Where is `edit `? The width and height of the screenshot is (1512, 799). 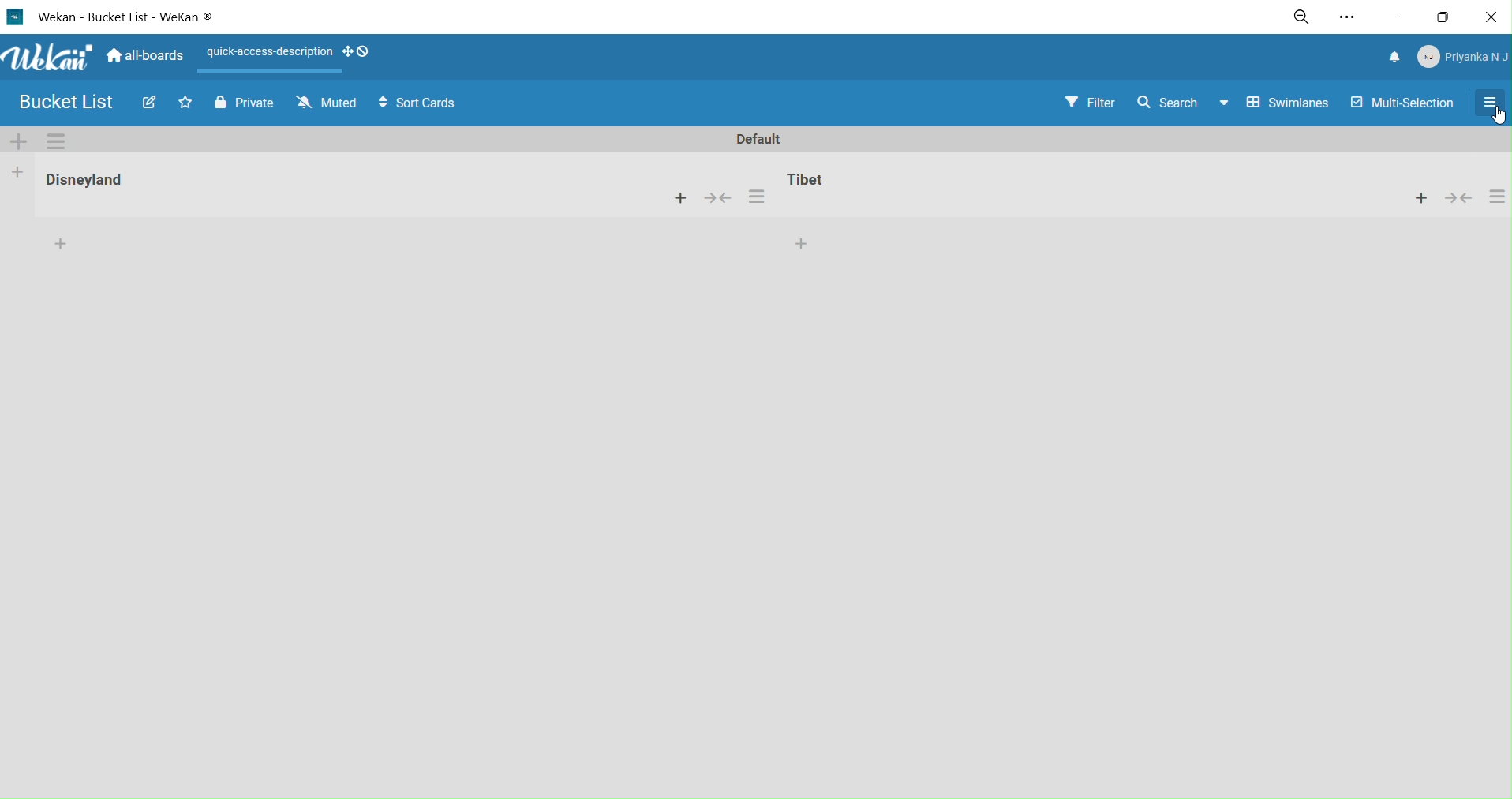
edit  is located at coordinates (151, 103).